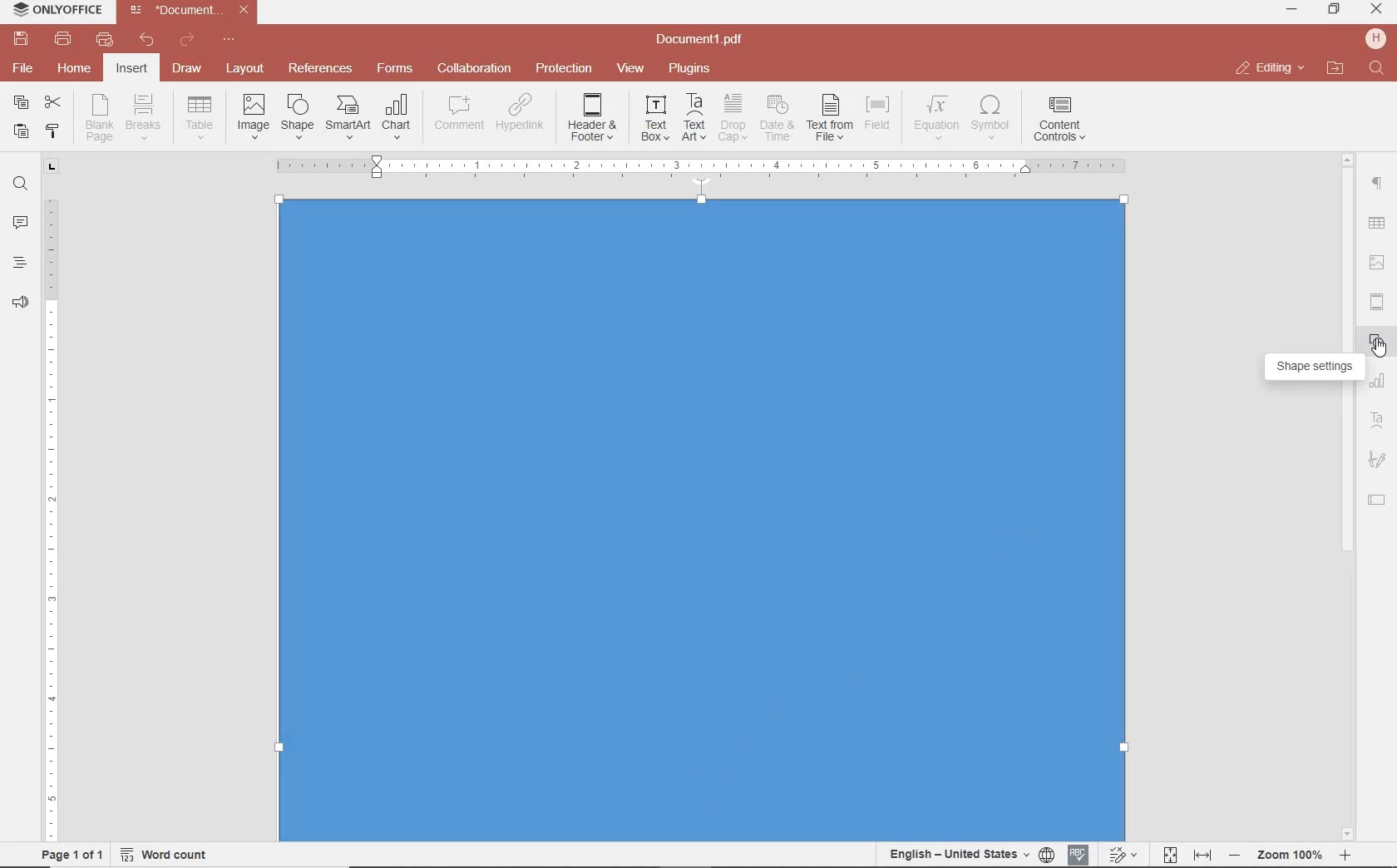 Image resolution: width=1397 pixels, height=868 pixels. I want to click on HEADERS & FOOTERS, so click(1378, 303).